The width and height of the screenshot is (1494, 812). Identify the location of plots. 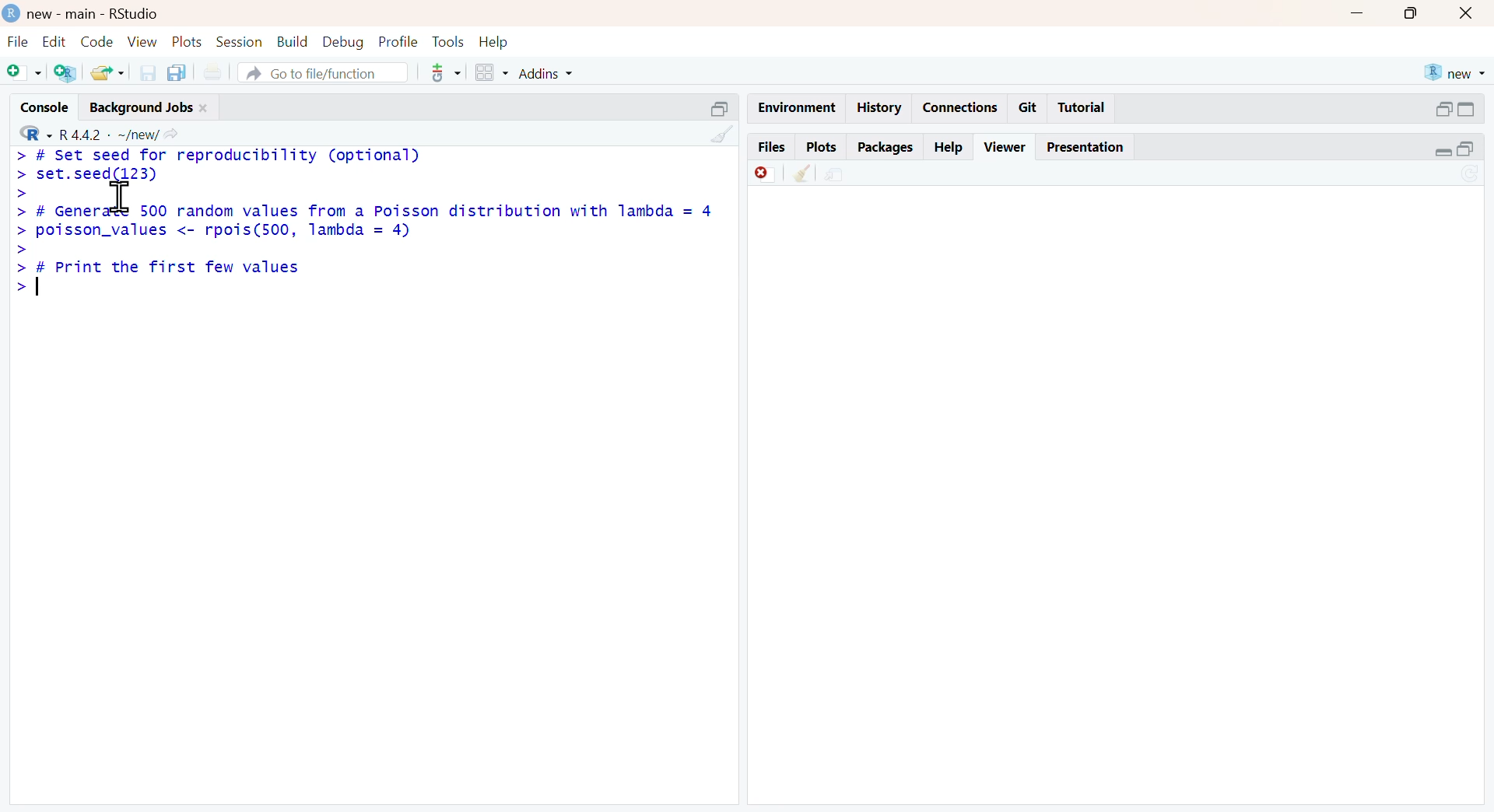
(823, 146).